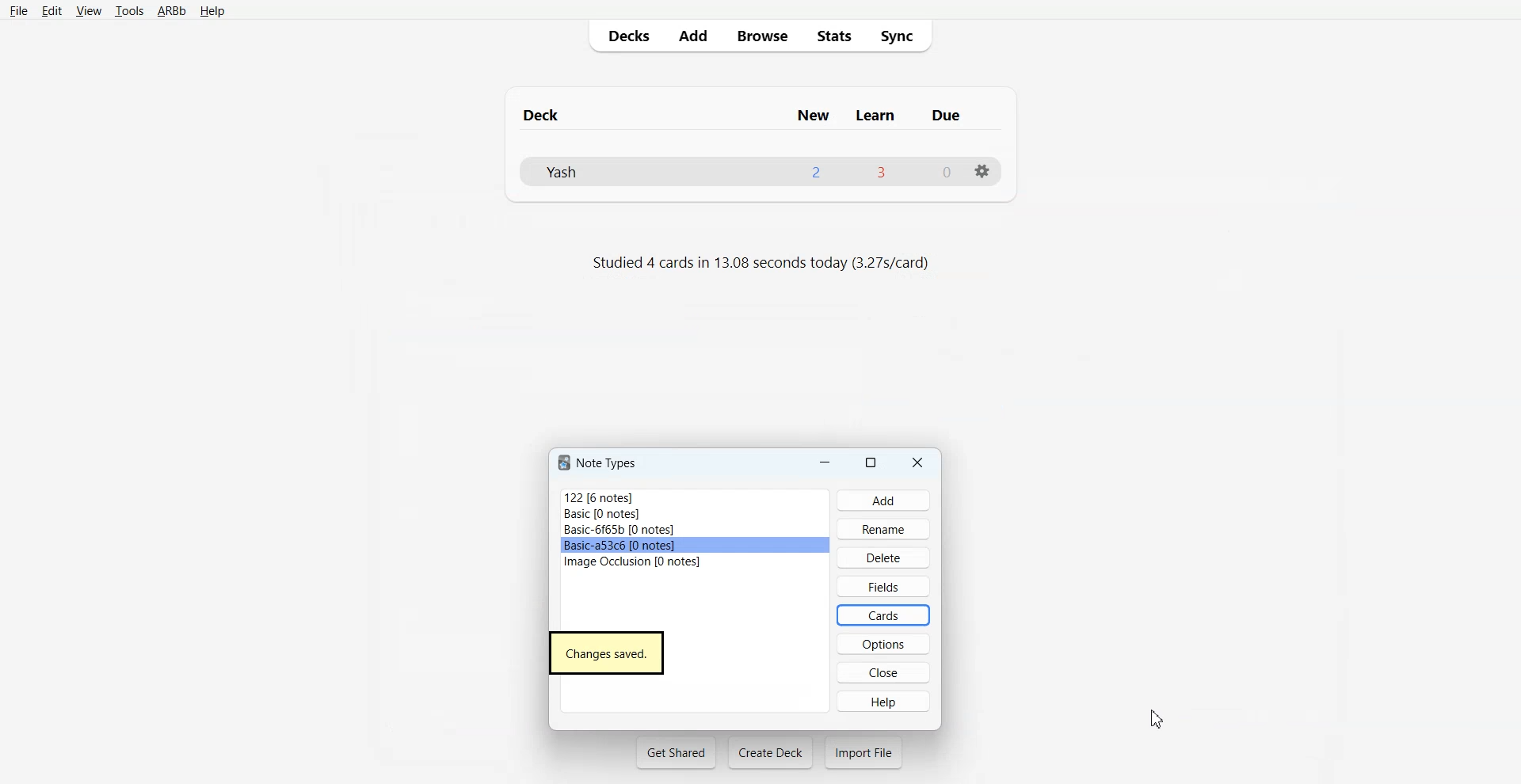 The width and height of the screenshot is (1521, 784). What do you see at coordinates (693, 496) in the screenshot?
I see `122[6 notes]` at bounding box center [693, 496].